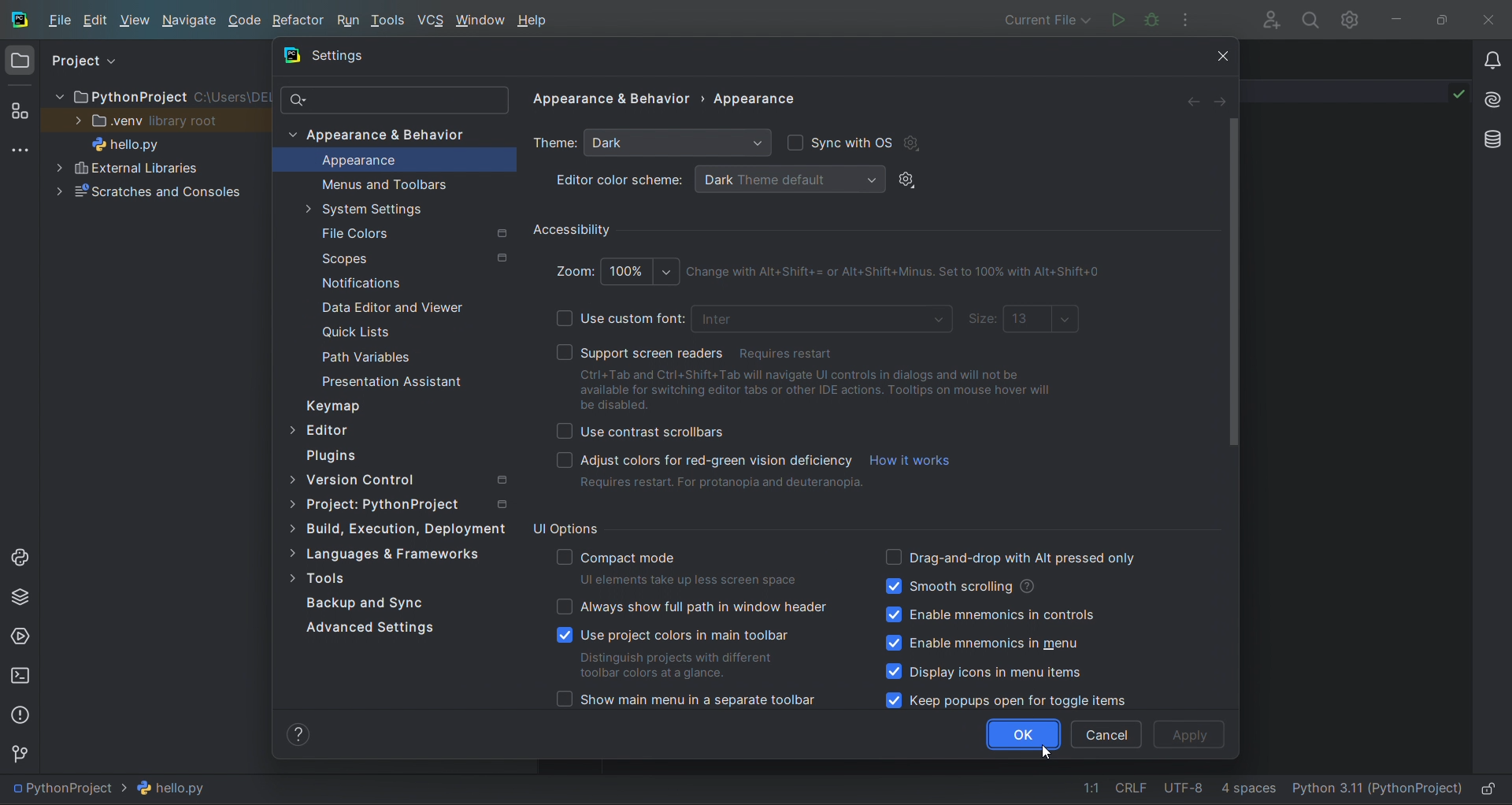  I want to click on python package, so click(20, 597).